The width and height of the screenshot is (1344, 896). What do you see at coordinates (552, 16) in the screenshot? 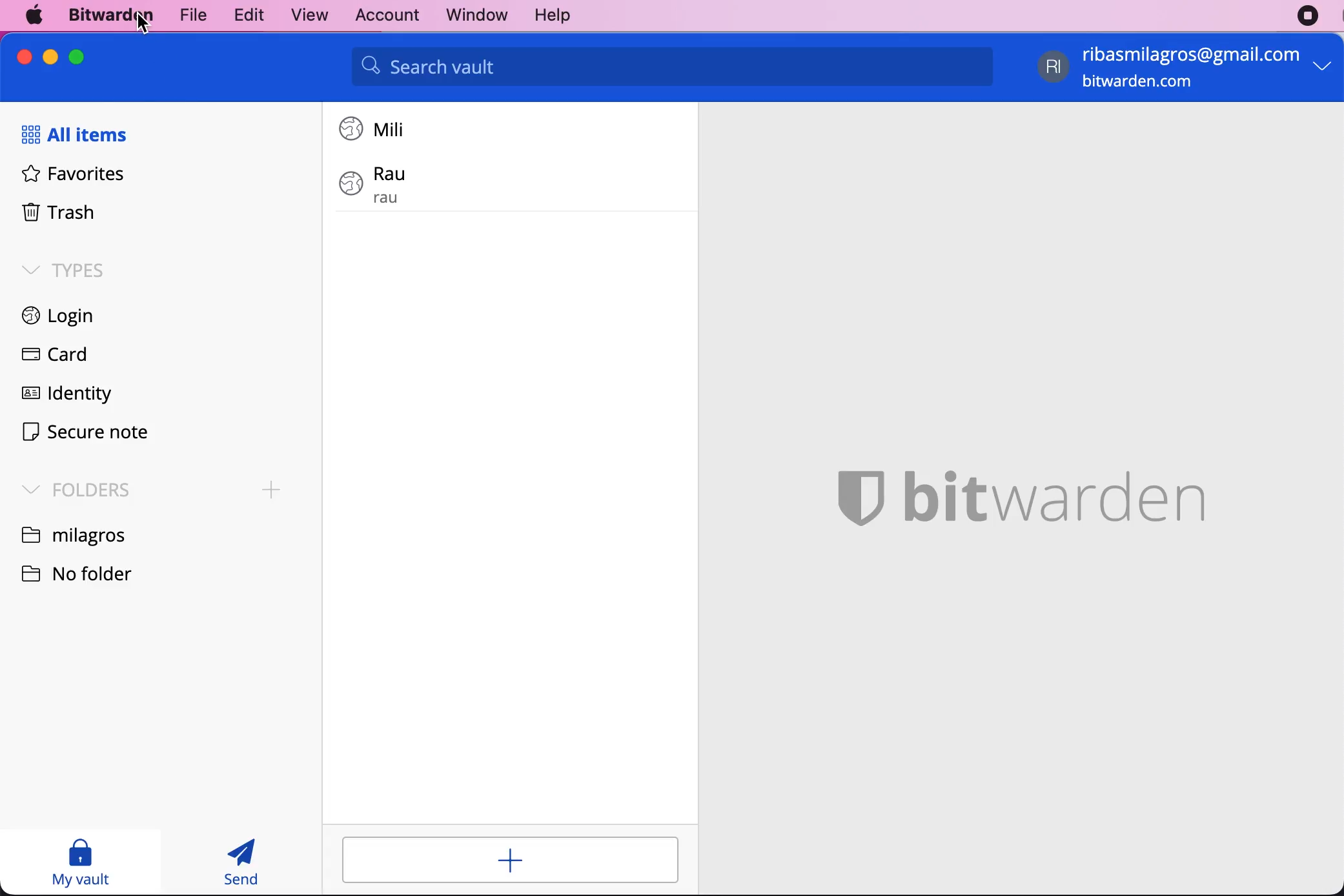
I see `help` at bounding box center [552, 16].